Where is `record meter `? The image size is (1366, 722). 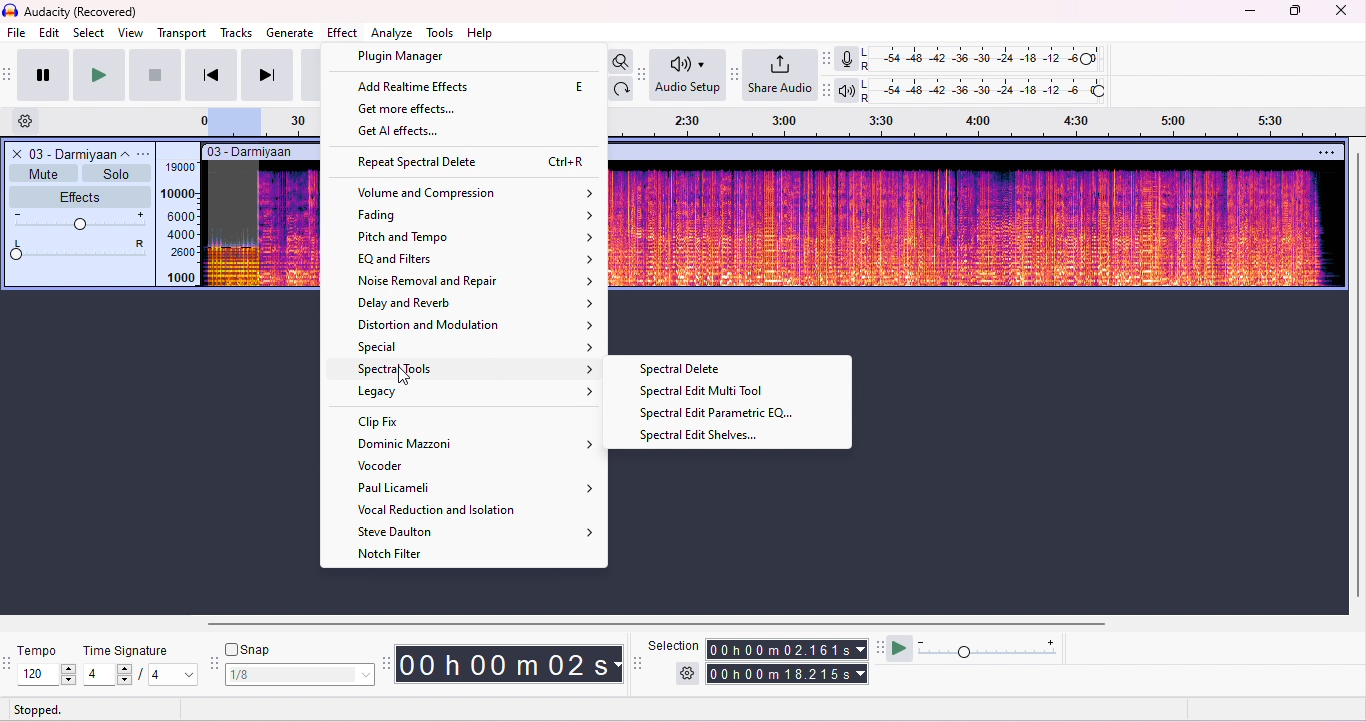 record meter  is located at coordinates (846, 59).